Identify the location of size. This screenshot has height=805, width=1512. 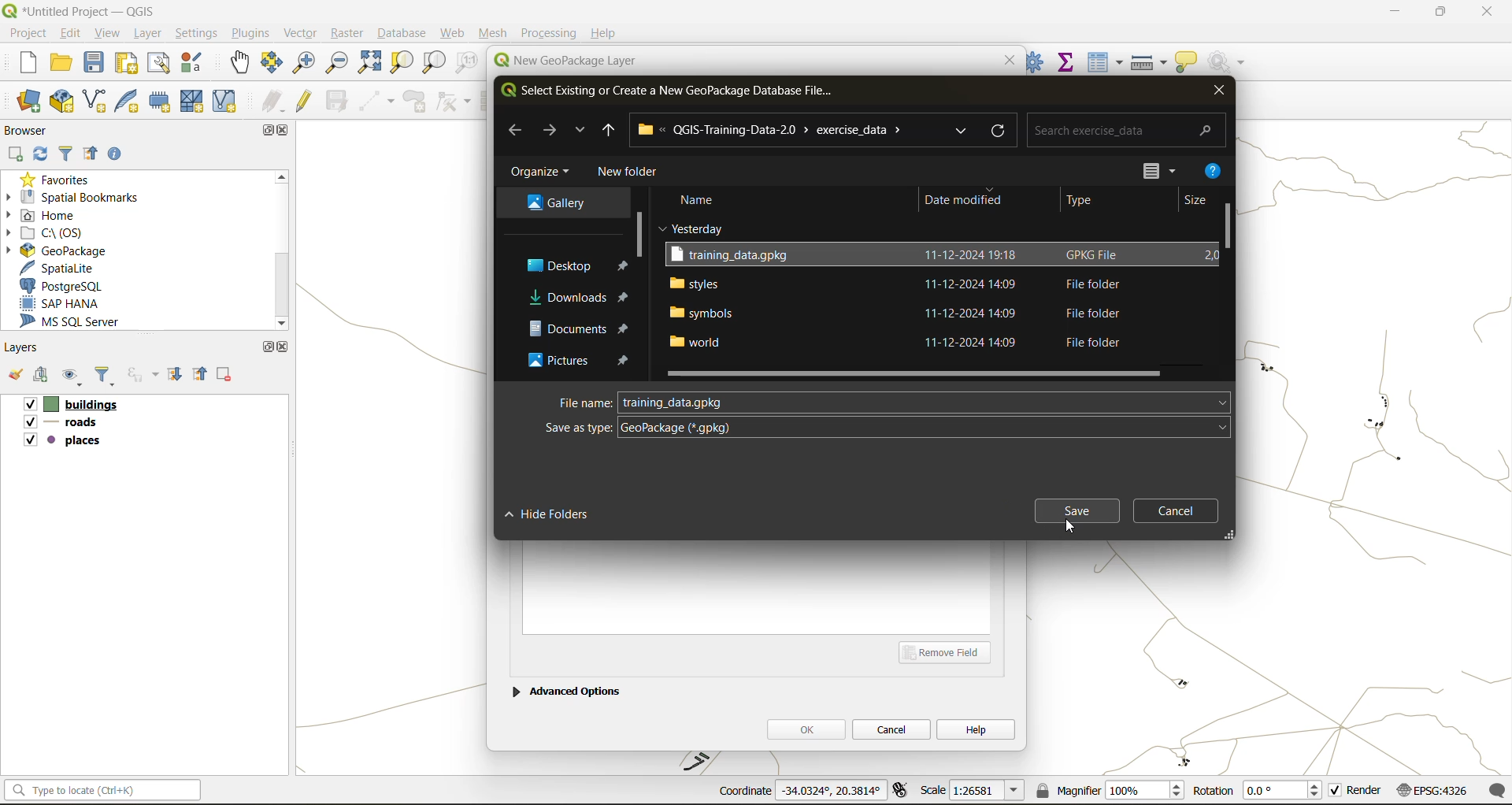
(1205, 199).